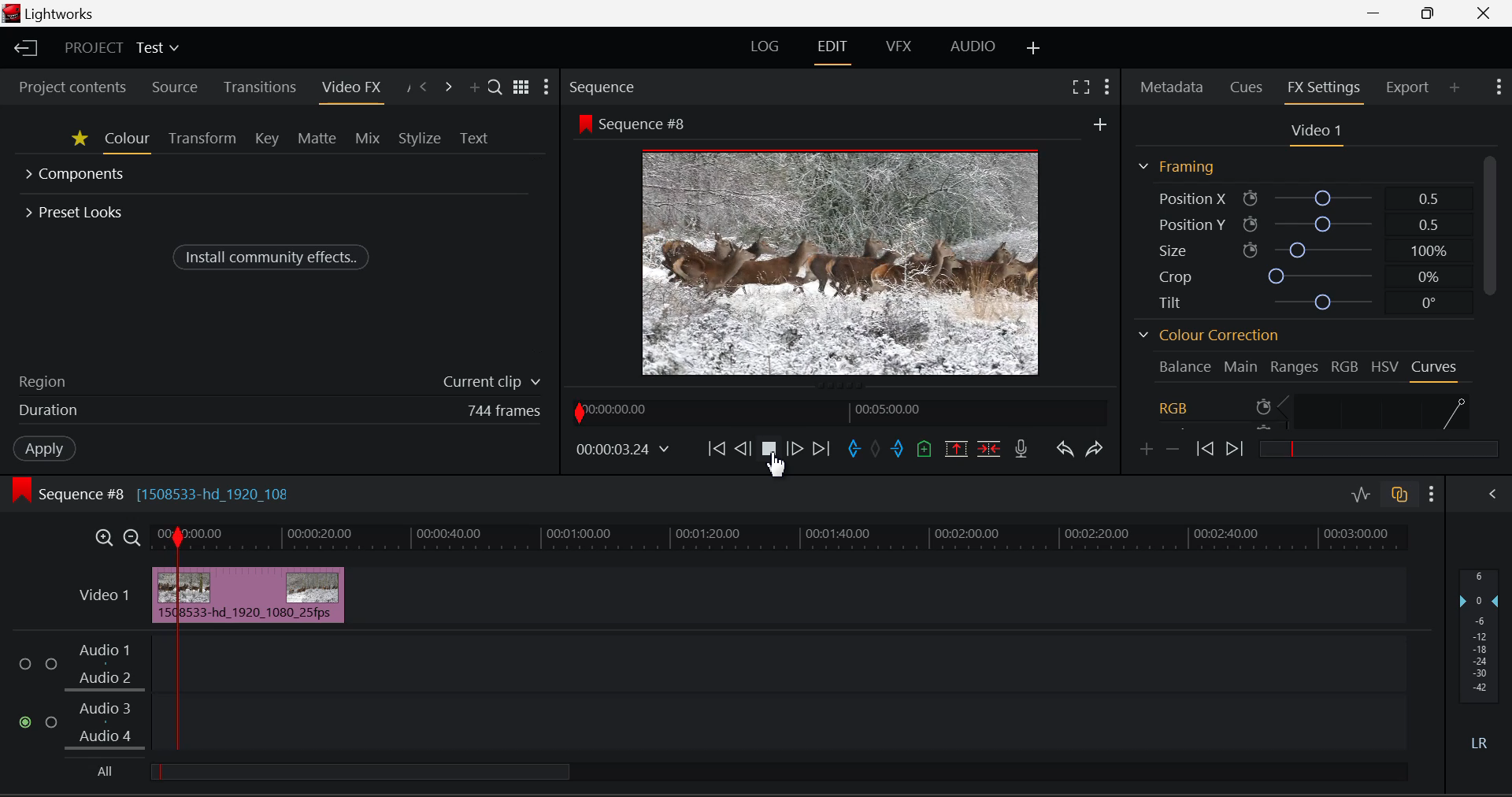 The image size is (1512, 797). Describe the element at coordinates (280, 411) in the screenshot. I see `Frame Duration` at that location.